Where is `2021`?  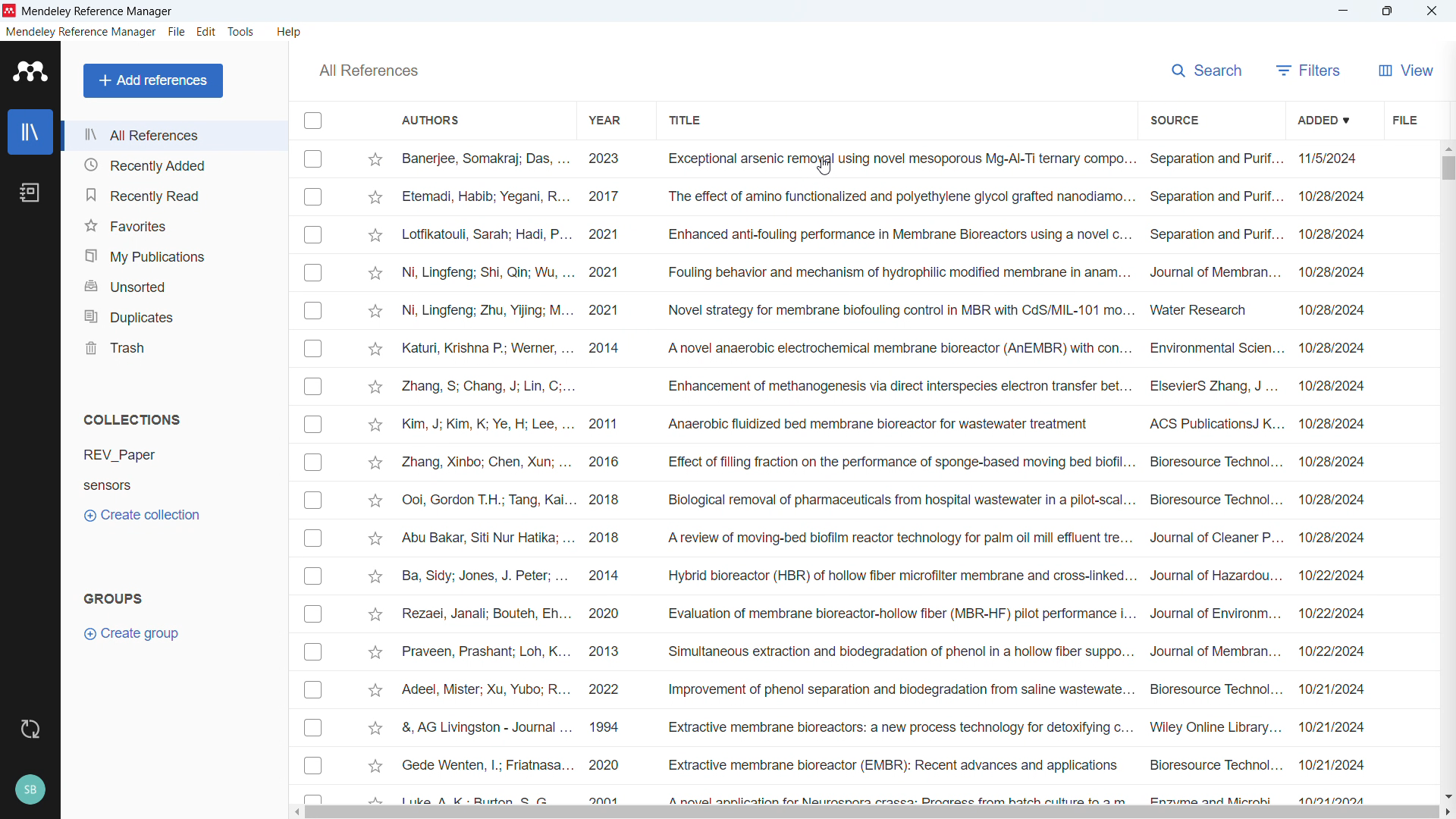
2021 is located at coordinates (611, 233).